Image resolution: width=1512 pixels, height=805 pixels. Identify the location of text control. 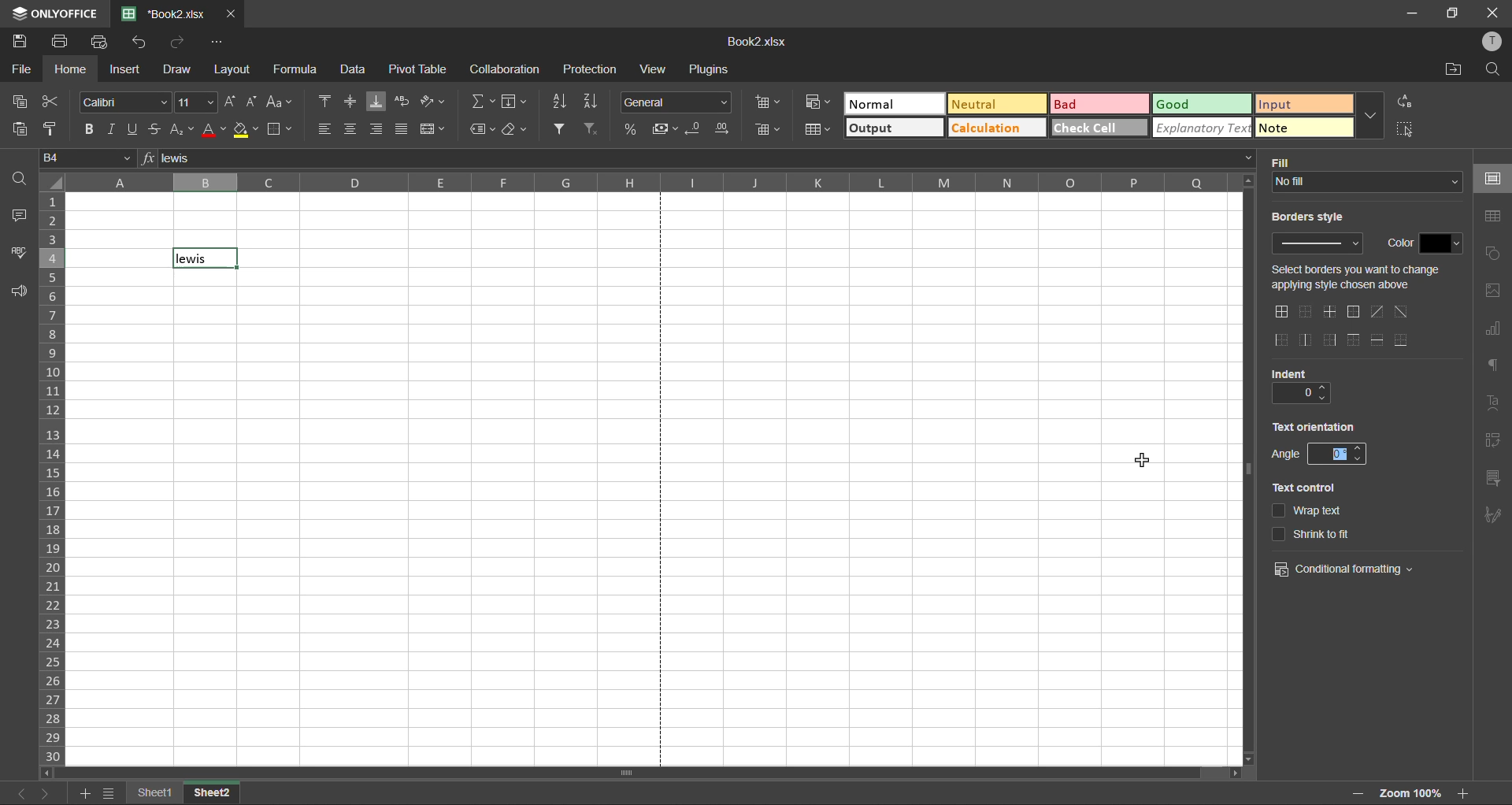
(1308, 489).